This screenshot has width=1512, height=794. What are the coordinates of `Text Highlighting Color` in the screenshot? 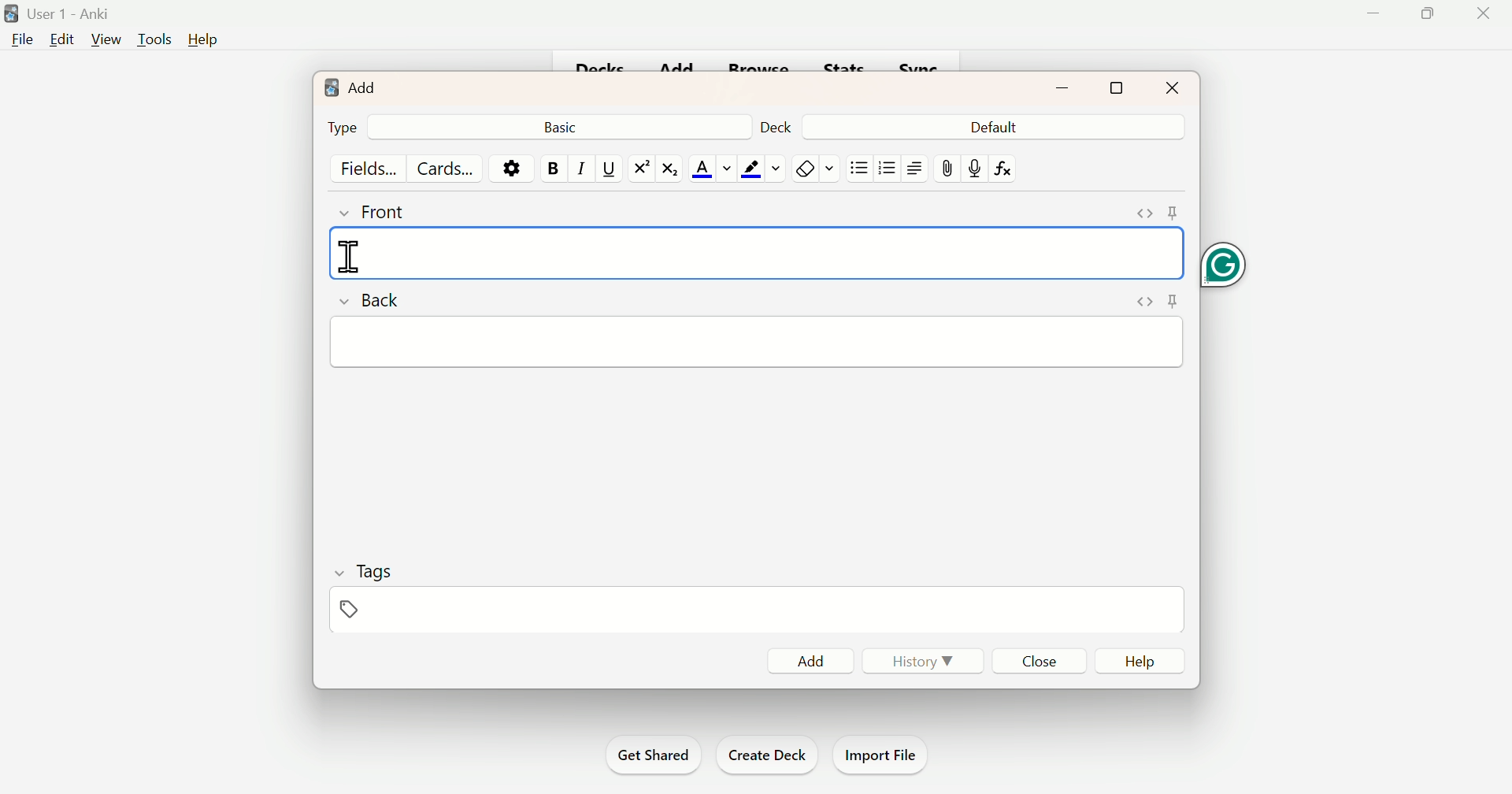 It's located at (762, 169).